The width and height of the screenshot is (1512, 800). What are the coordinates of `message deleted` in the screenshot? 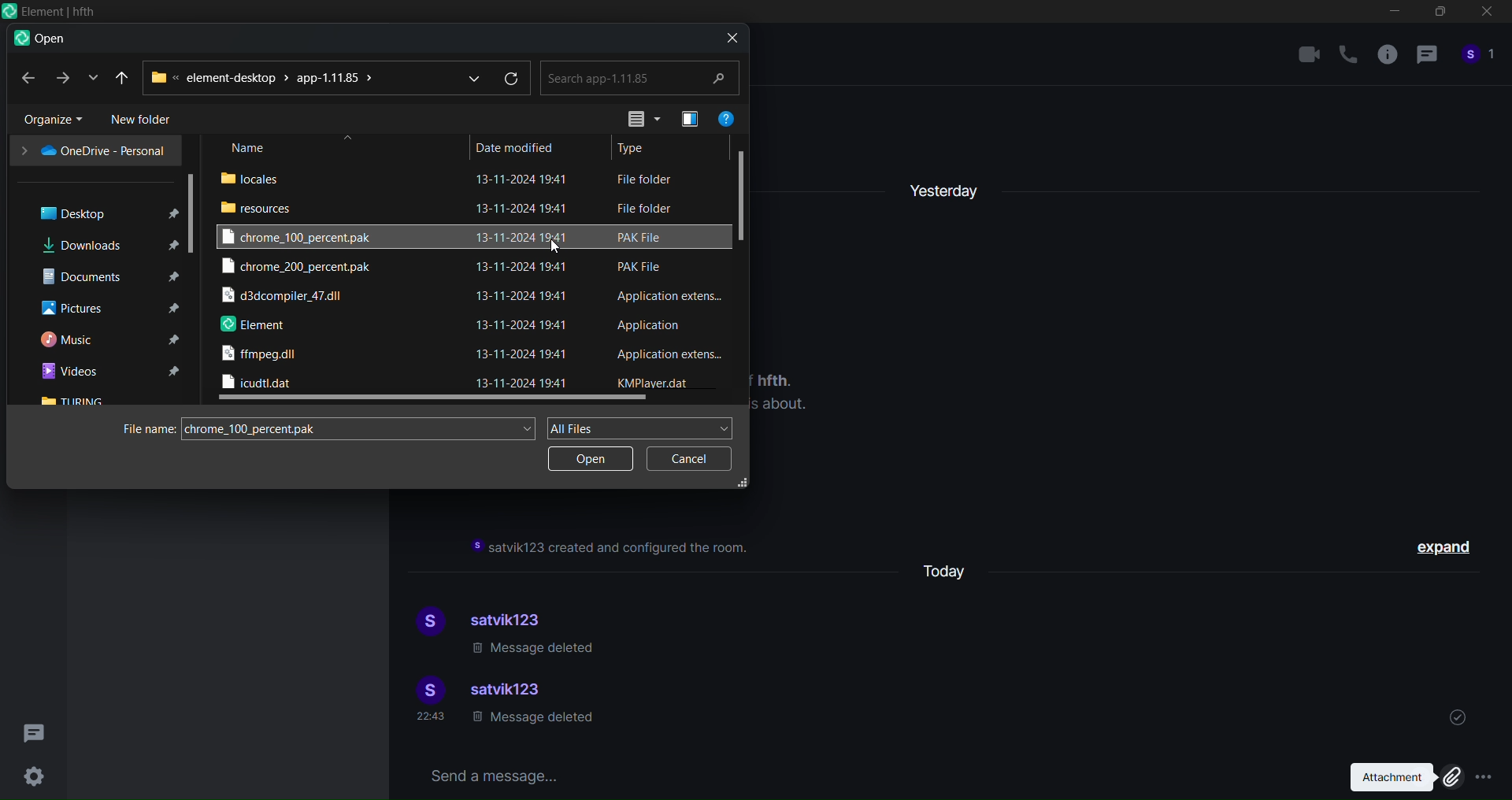 It's located at (532, 721).